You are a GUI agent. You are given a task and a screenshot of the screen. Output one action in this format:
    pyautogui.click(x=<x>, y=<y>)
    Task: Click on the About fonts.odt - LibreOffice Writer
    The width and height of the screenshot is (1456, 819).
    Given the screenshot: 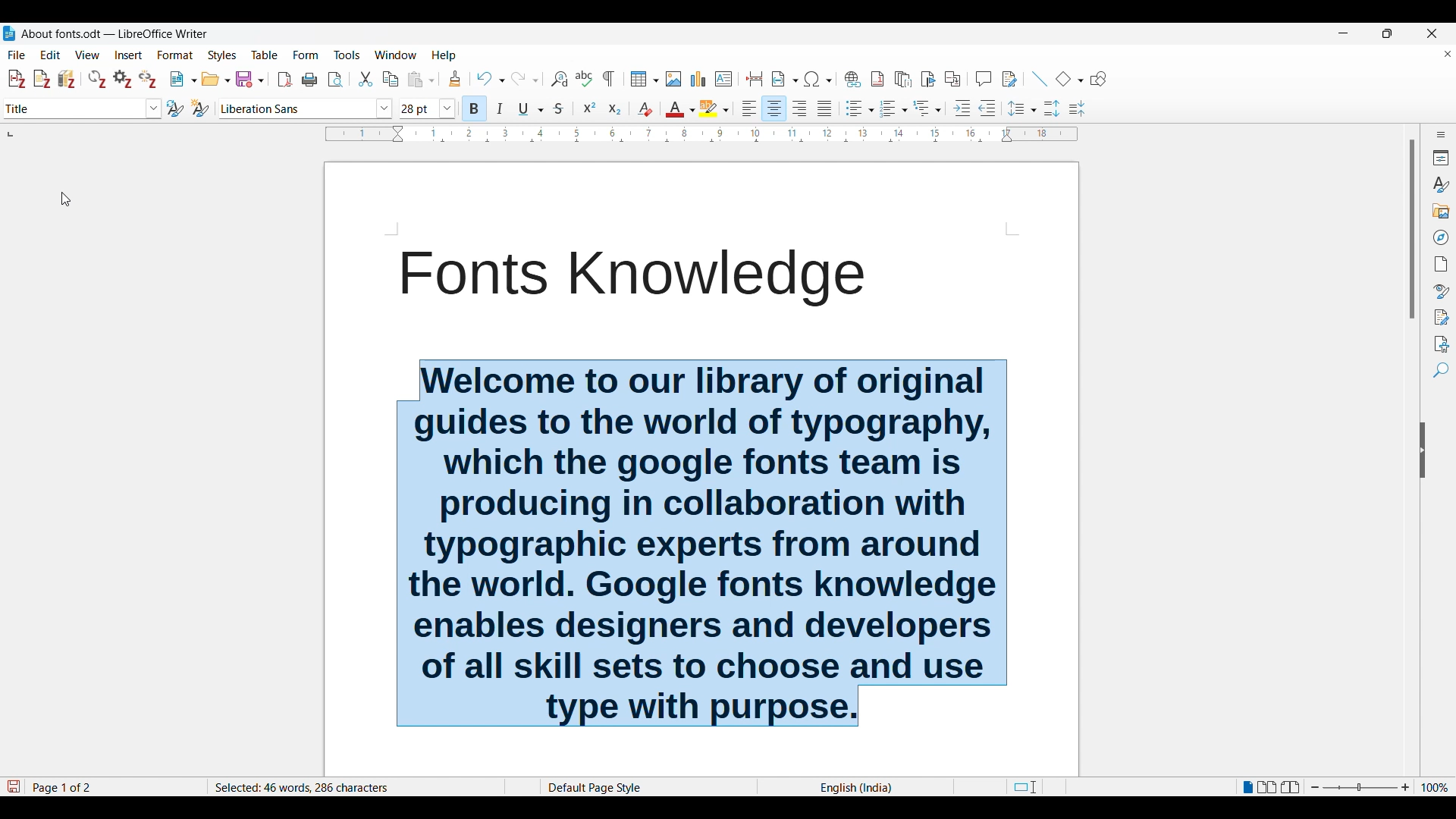 What is the action you would take?
    pyautogui.click(x=115, y=33)
    